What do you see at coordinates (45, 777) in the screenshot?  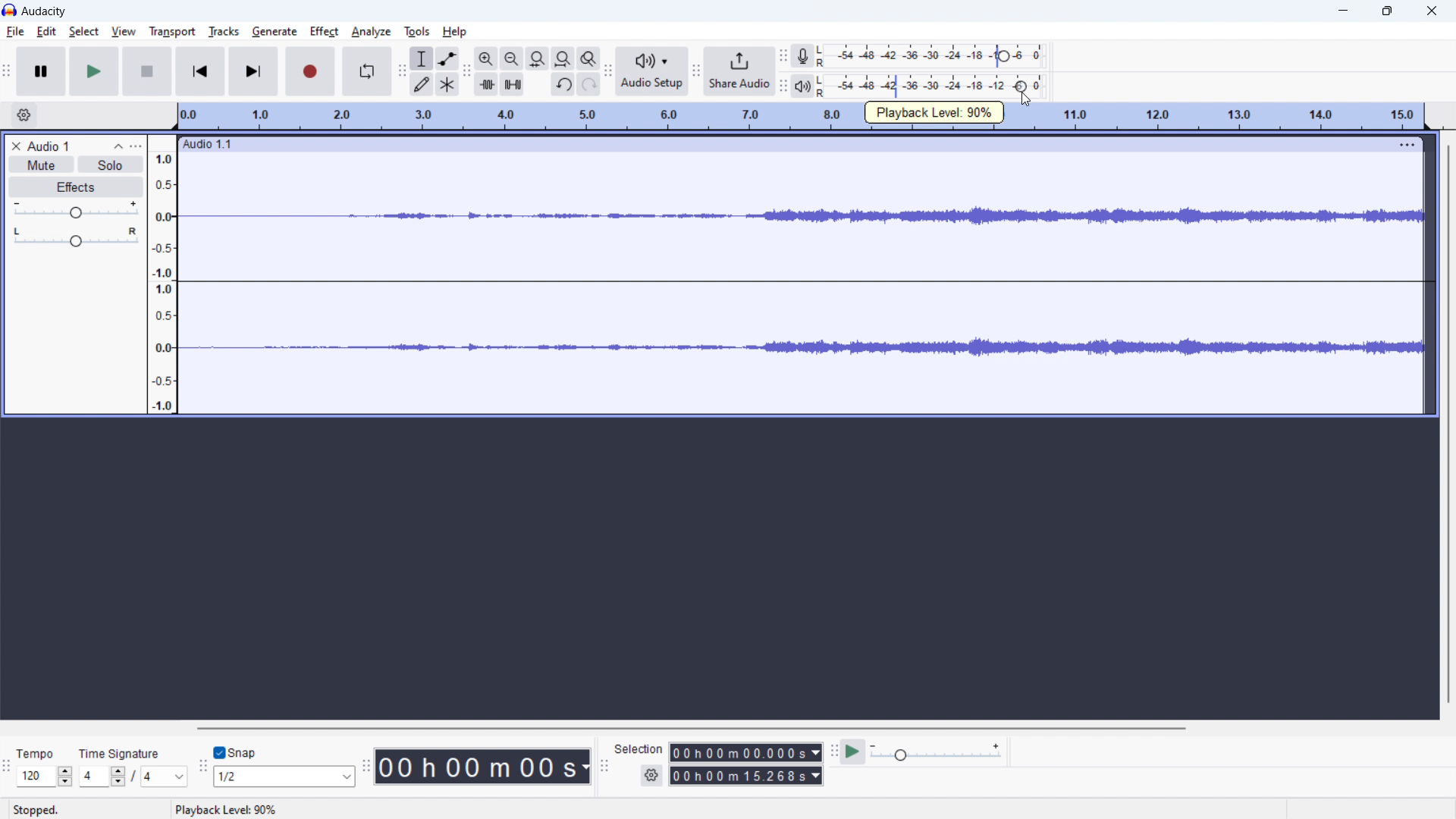 I see `select tempo` at bounding box center [45, 777].